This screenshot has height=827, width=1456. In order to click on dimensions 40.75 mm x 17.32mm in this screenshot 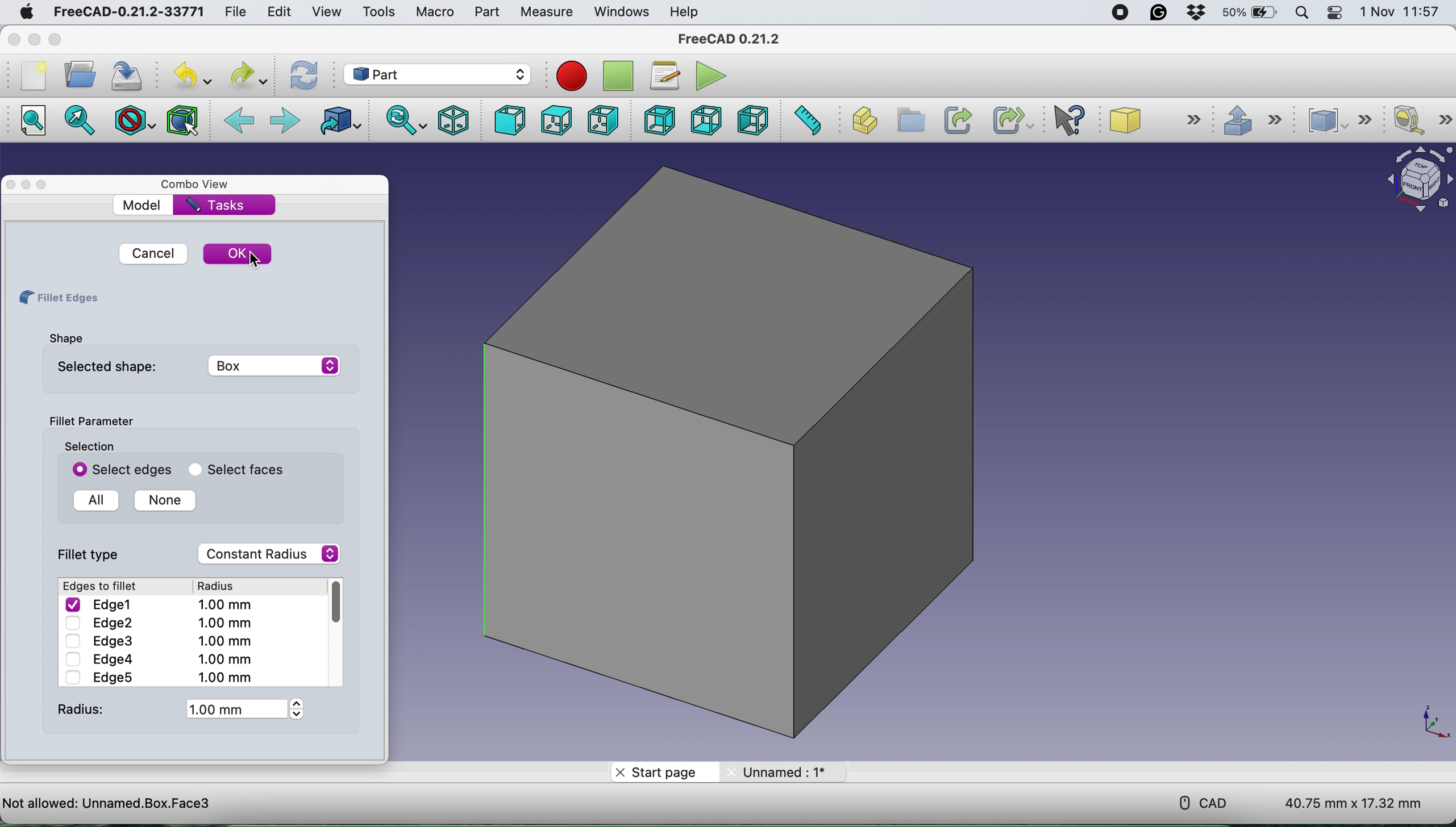, I will do `click(1356, 803)`.